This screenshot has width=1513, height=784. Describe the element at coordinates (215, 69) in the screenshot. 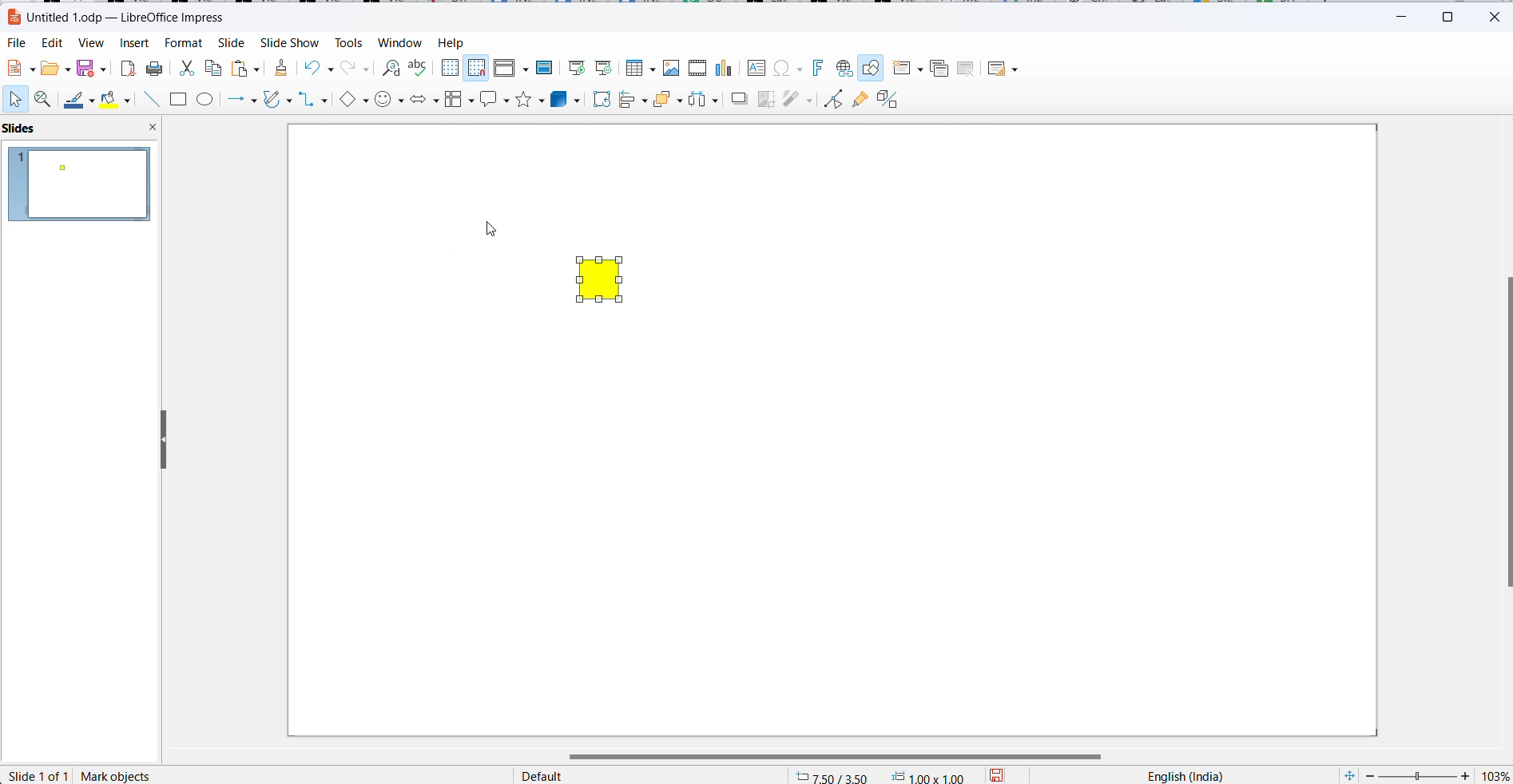

I see `copy` at that location.